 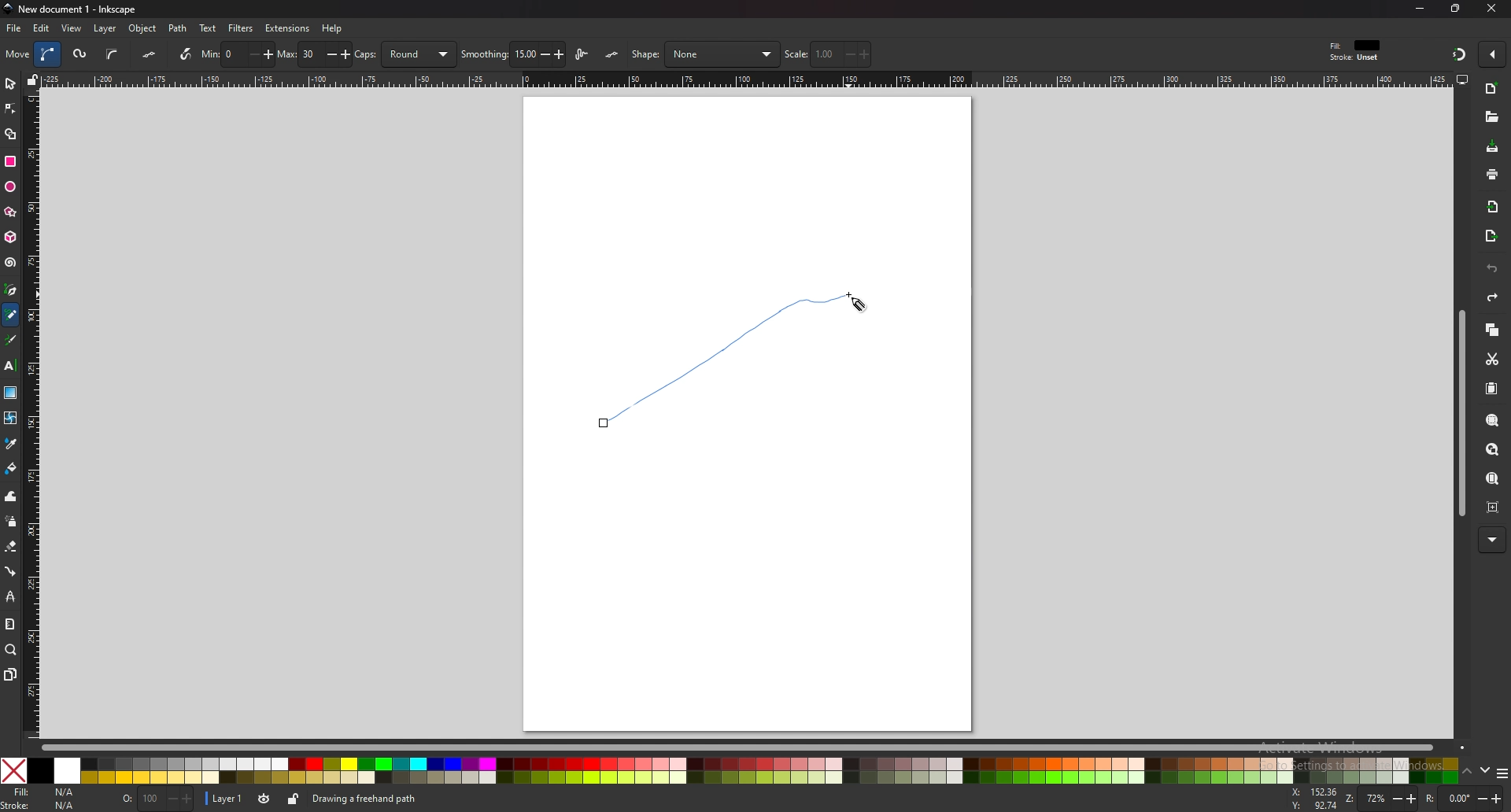 What do you see at coordinates (1491, 389) in the screenshot?
I see `paste` at bounding box center [1491, 389].